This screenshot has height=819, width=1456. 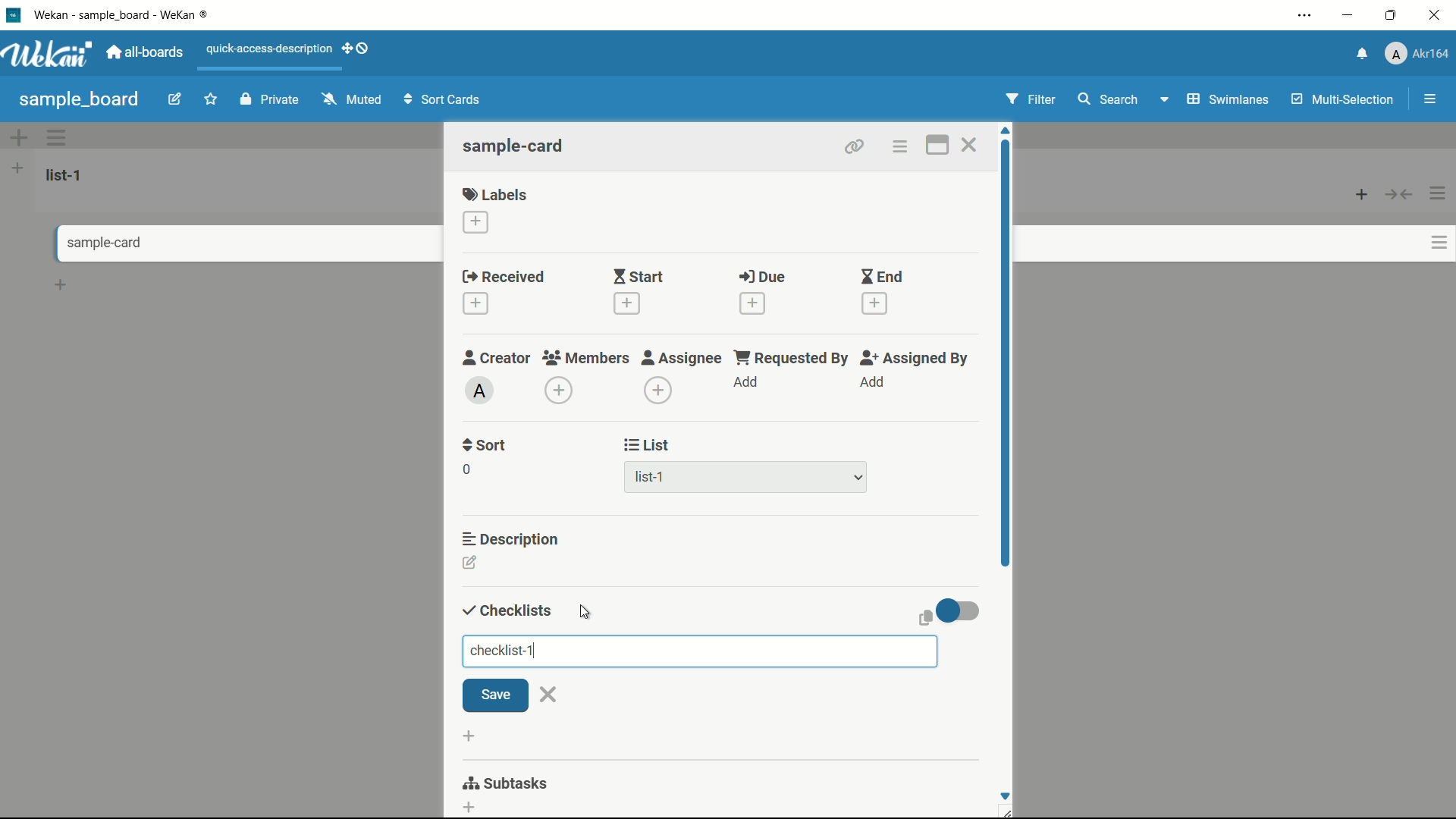 What do you see at coordinates (504, 278) in the screenshot?
I see `received` at bounding box center [504, 278].